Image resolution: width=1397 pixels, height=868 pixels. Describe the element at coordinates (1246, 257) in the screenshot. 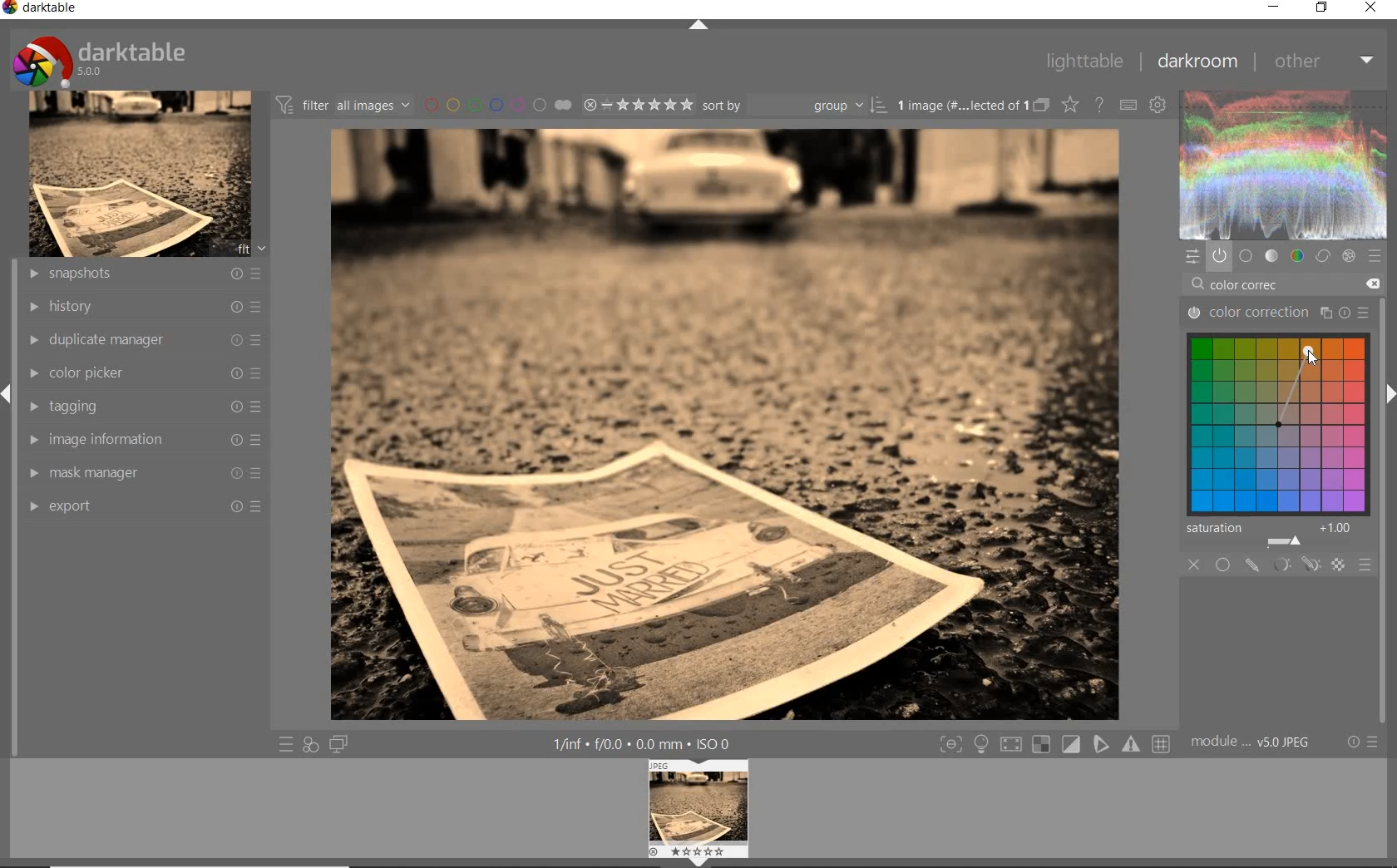

I see `base` at that location.